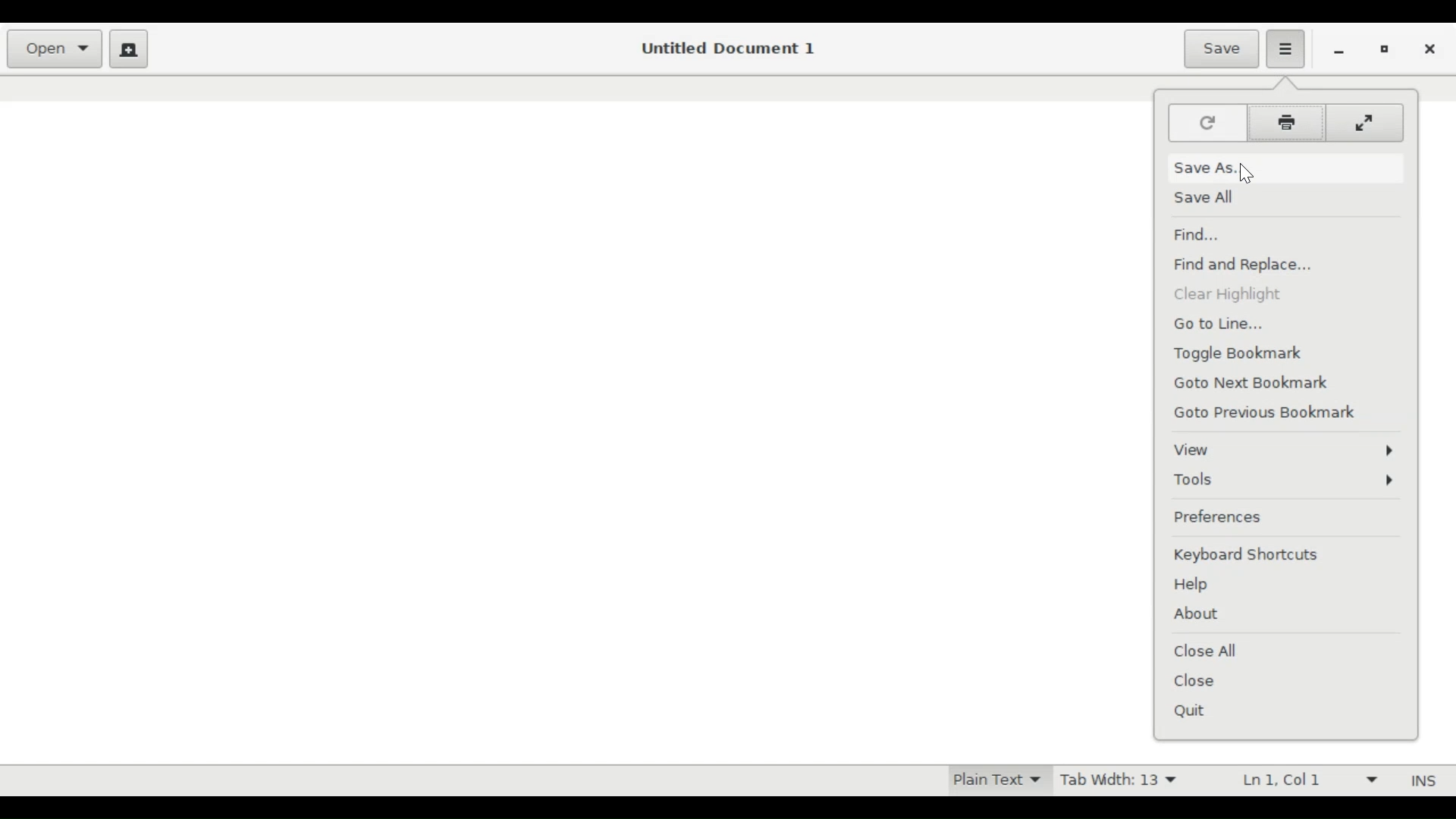 The image size is (1456, 819). What do you see at coordinates (1118, 782) in the screenshot?
I see `Tab Width: 13` at bounding box center [1118, 782].